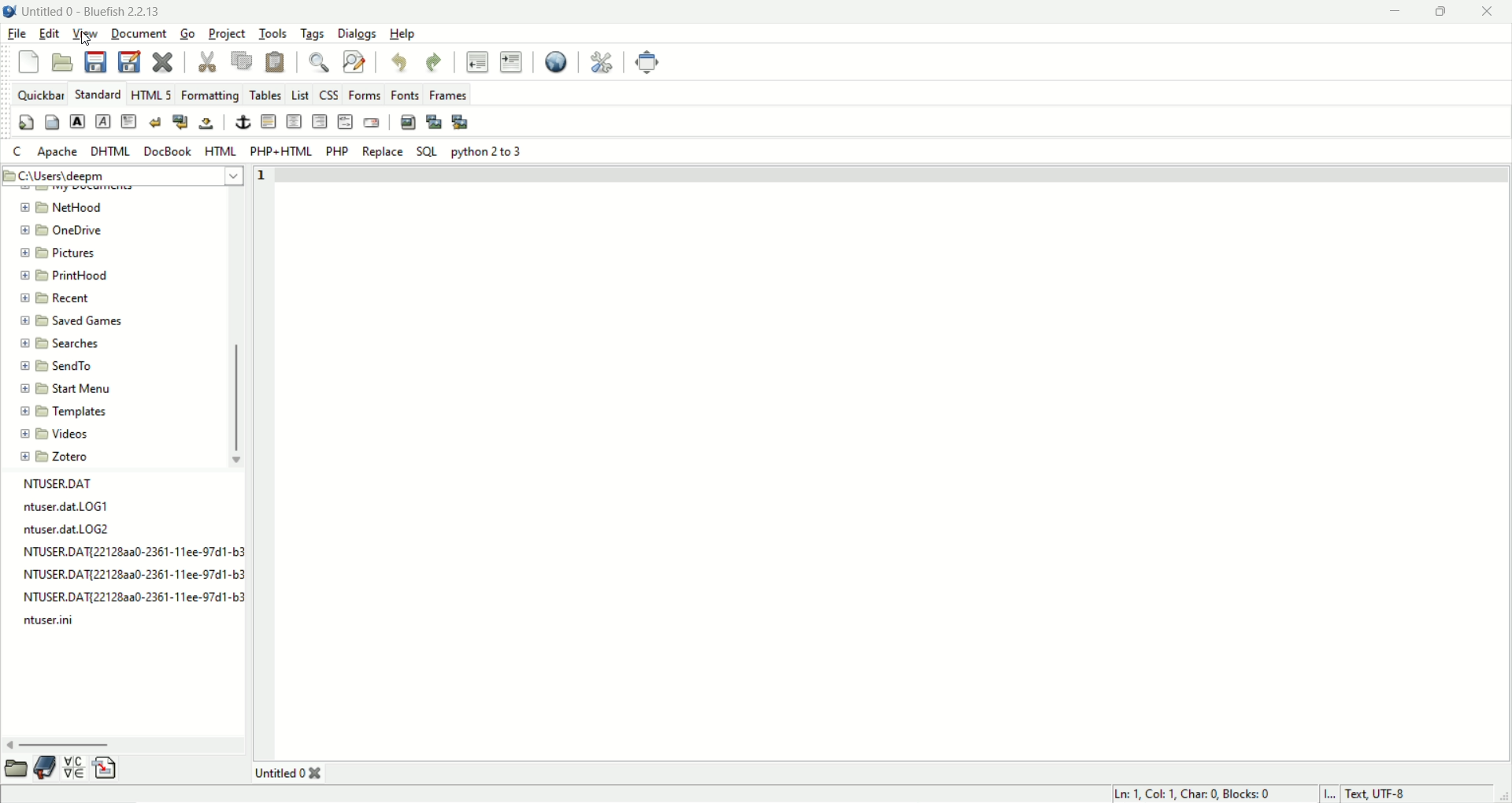 The width and height of the screenshot is (1512, 803). I want to click on recent, so click(56, 300).